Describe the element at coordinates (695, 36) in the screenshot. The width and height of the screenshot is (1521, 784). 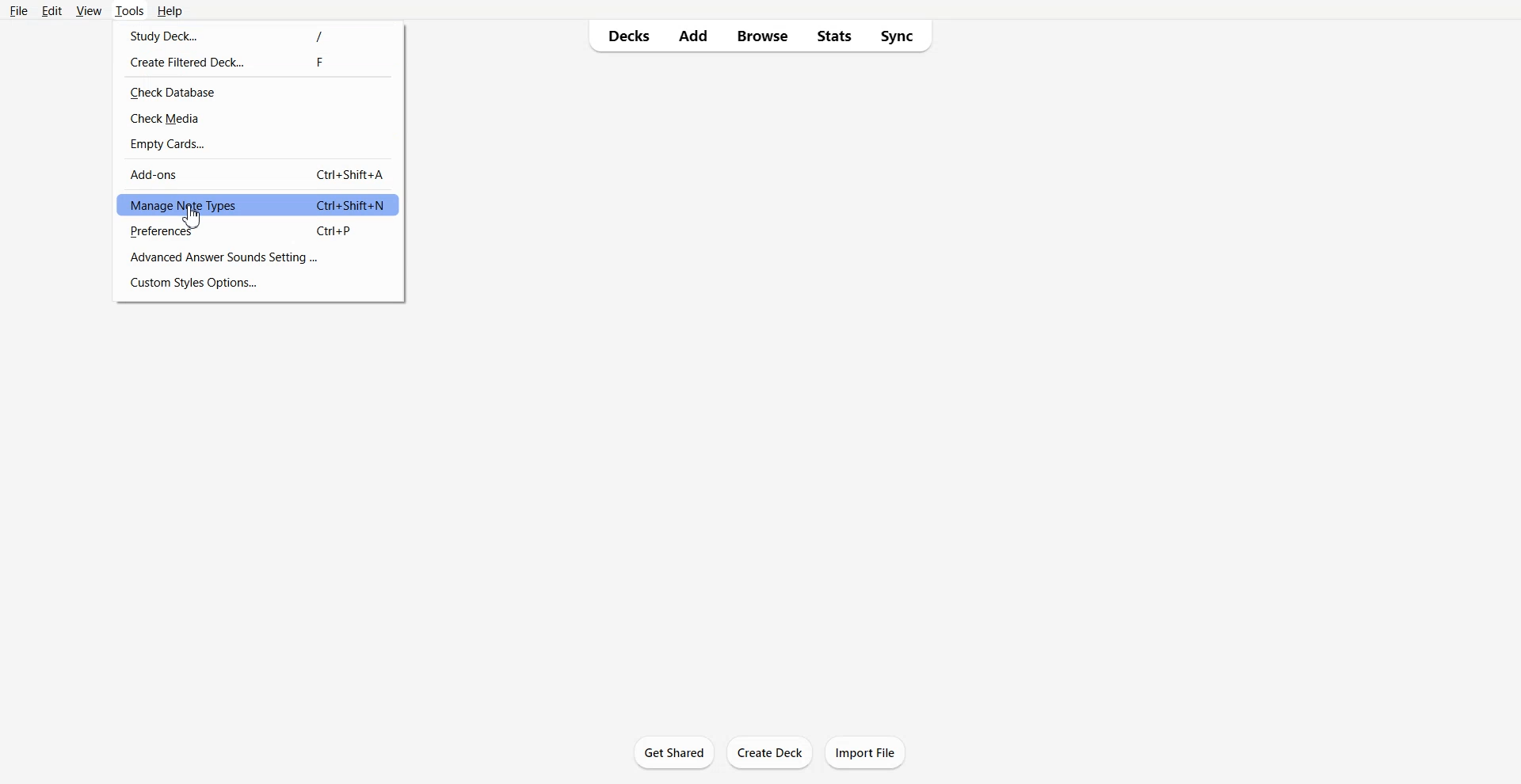
I see `Add` at that location.